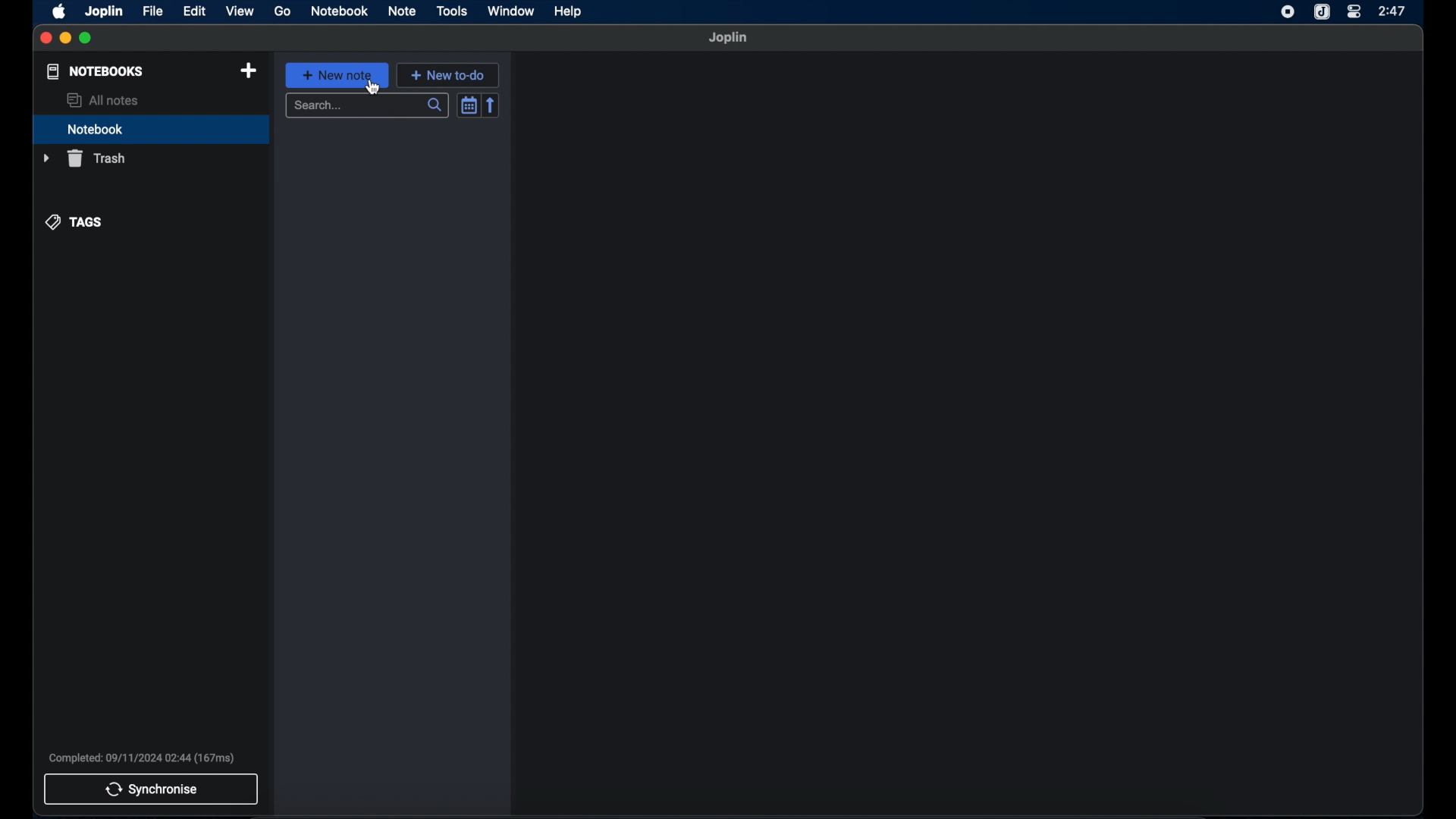  What do you see at coordinates (451, 11) in the screenshot?
I see `tools` at bounding box center [451, 11].